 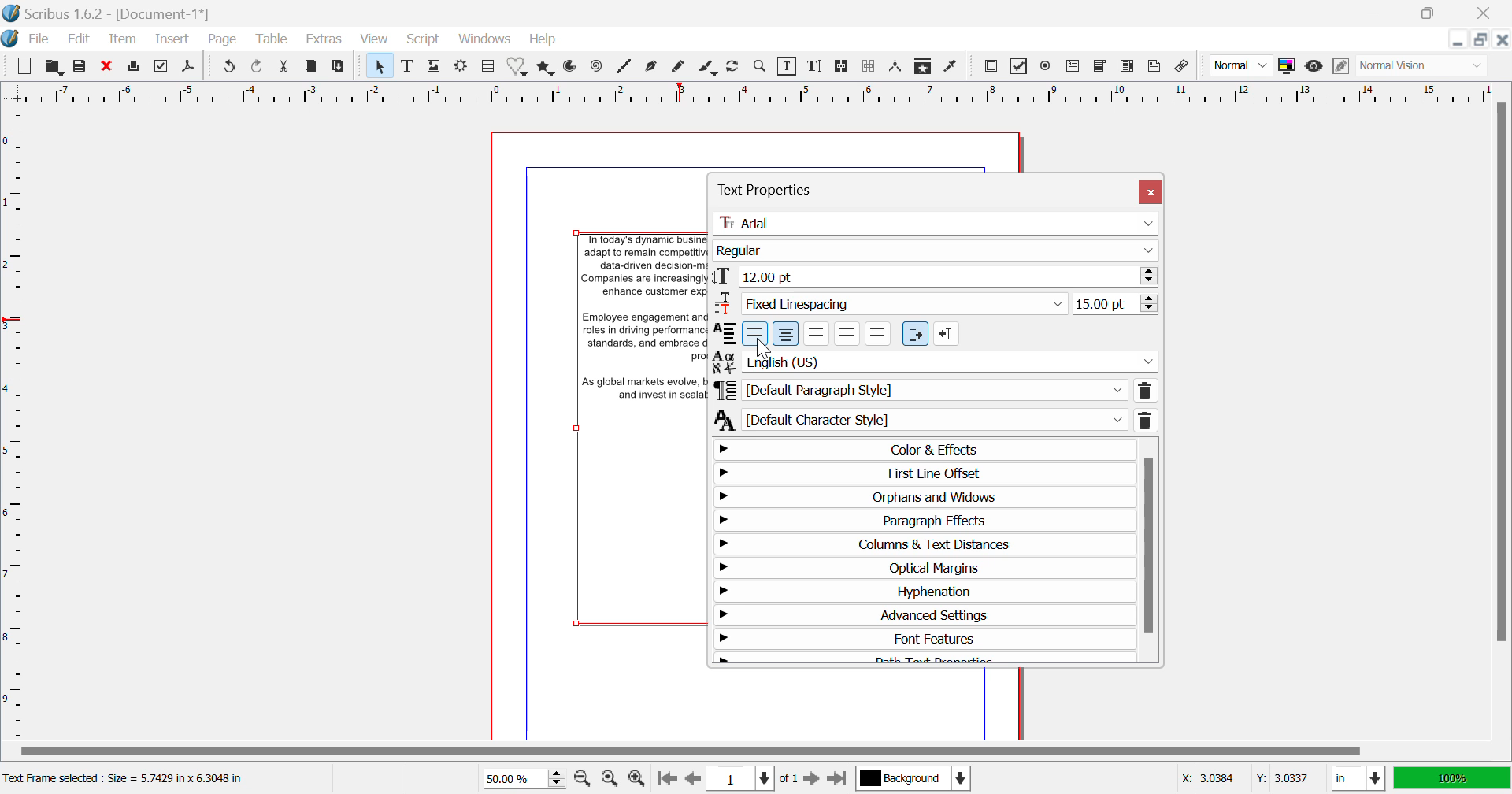 What do you see at coordinates (1154, 68) in the screenshot?
I see `Text Annotation` at bounding box center [1154, 68].